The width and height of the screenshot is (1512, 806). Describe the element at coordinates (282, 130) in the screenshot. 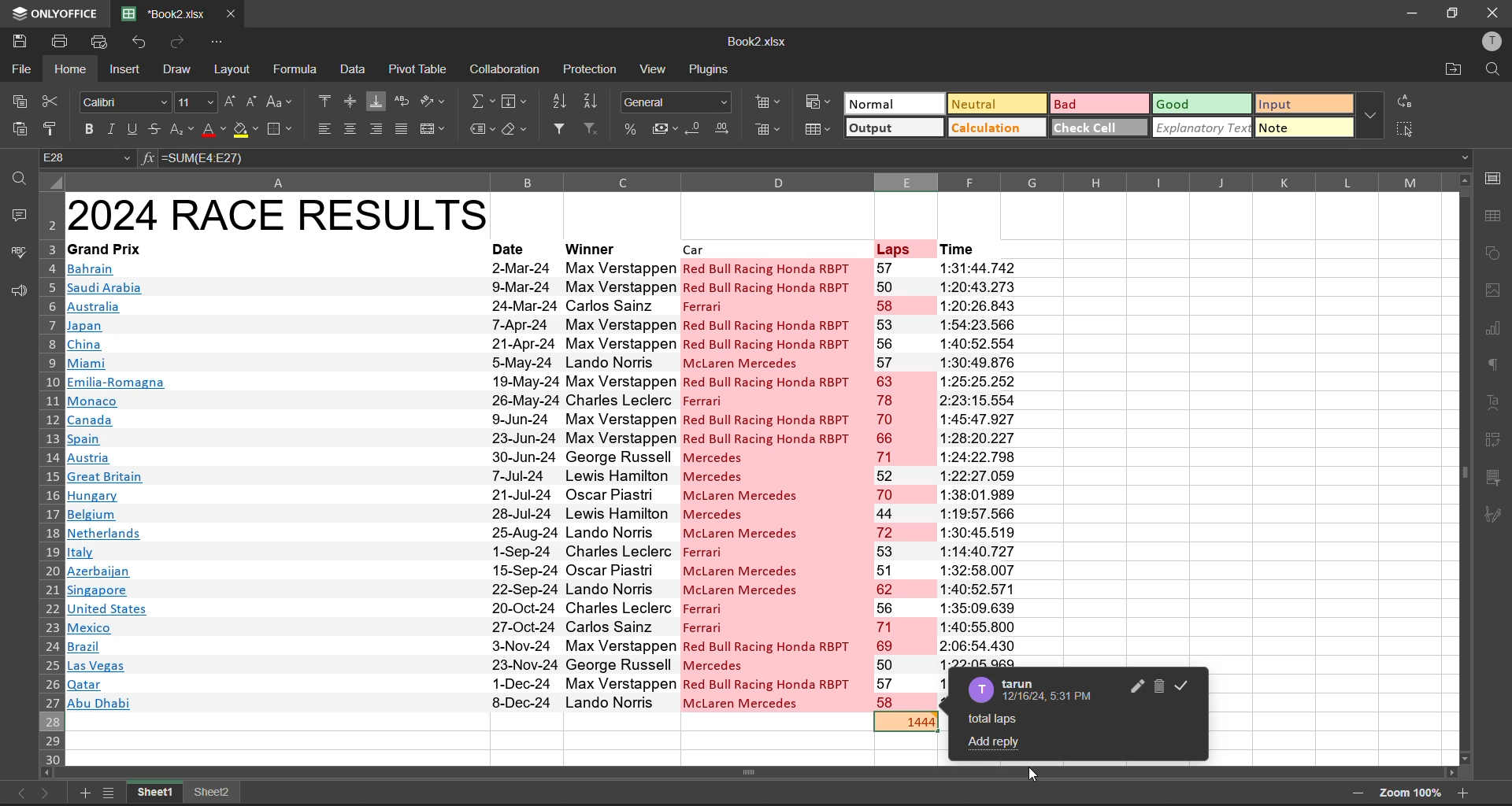

I see `borders` at that location.